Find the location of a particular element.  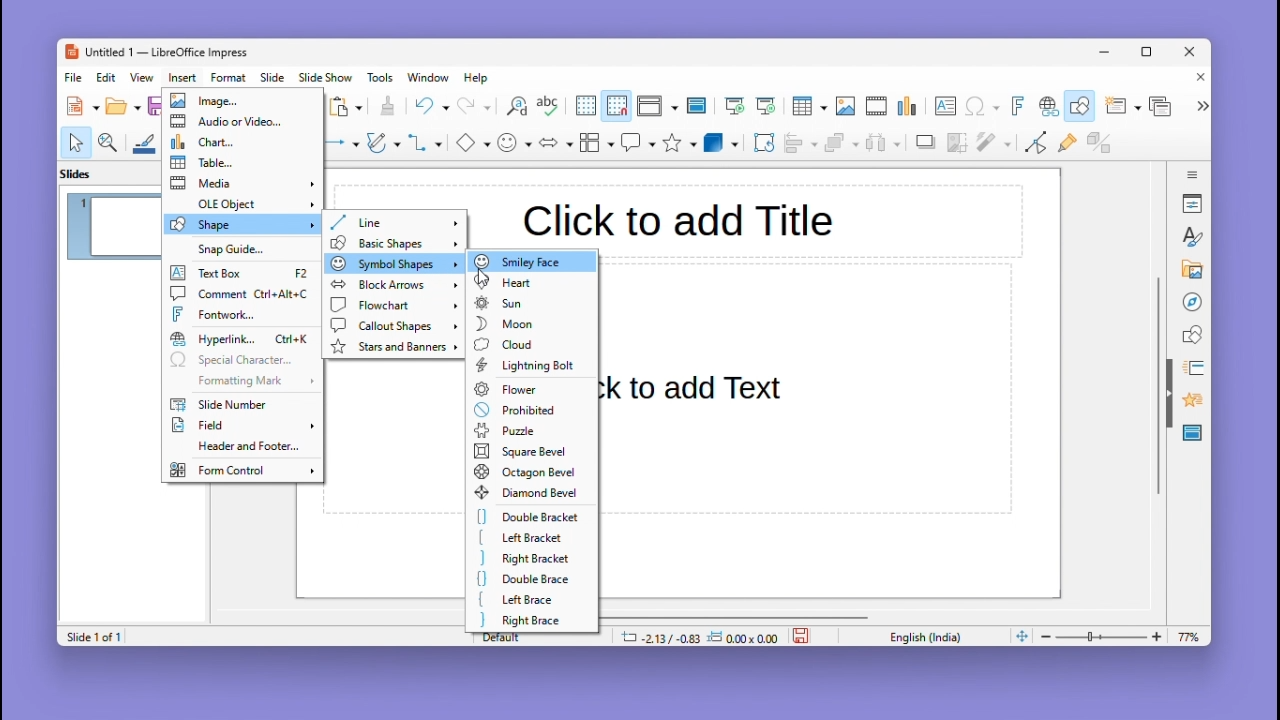

Media is located at coordinates (242, 183).